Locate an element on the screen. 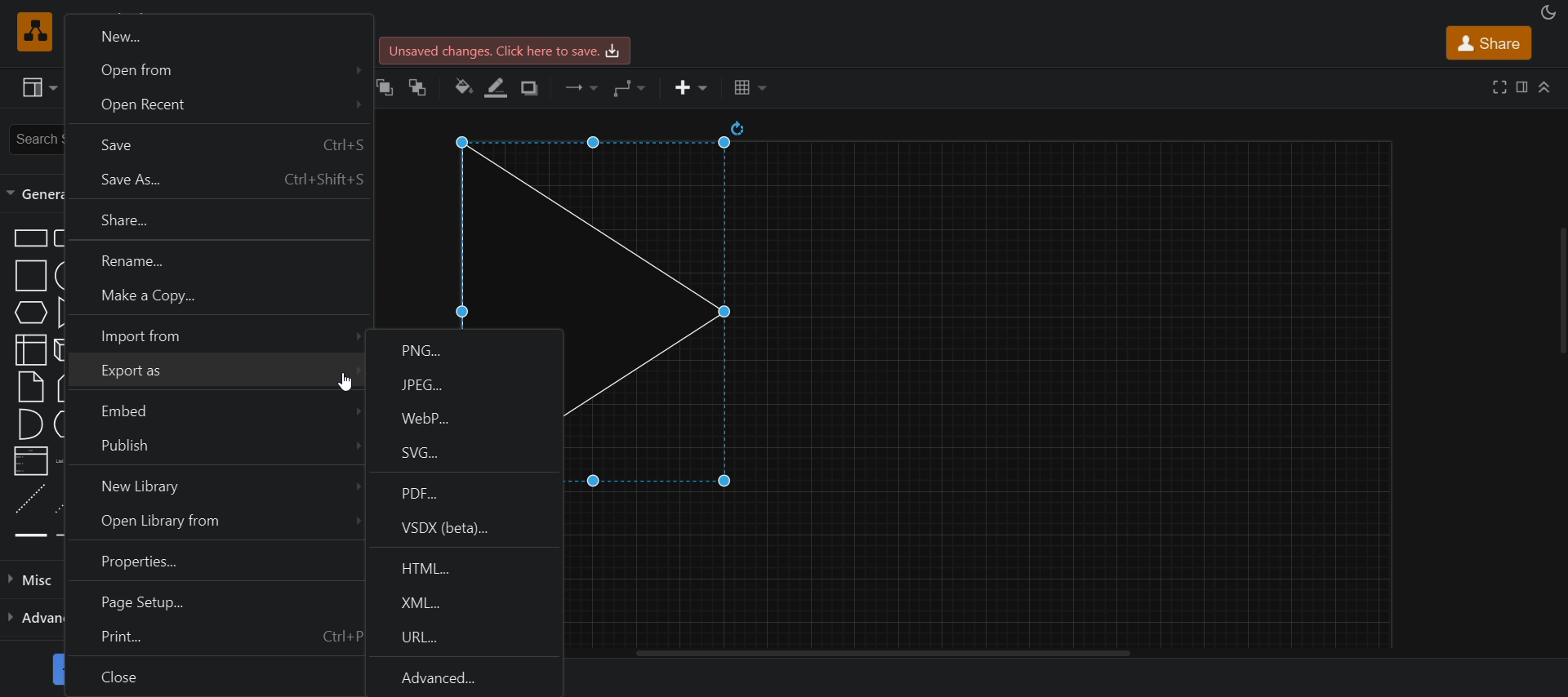 This screenshot has width=1568, height=697. fill color is located at coordinates (462, 87).